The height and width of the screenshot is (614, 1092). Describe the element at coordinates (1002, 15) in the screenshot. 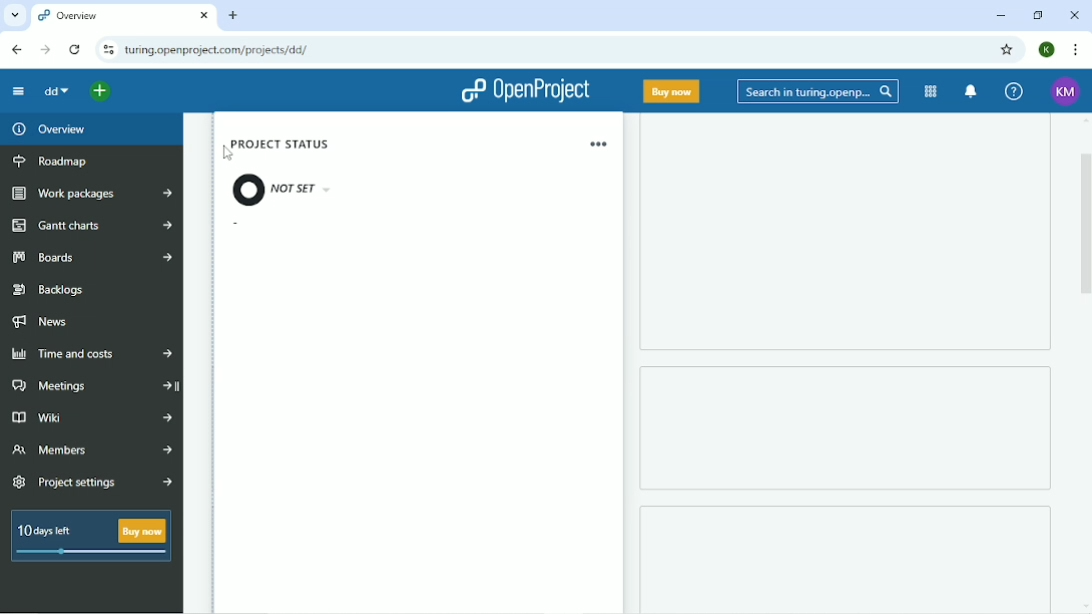

I see `Minimize` at that location.